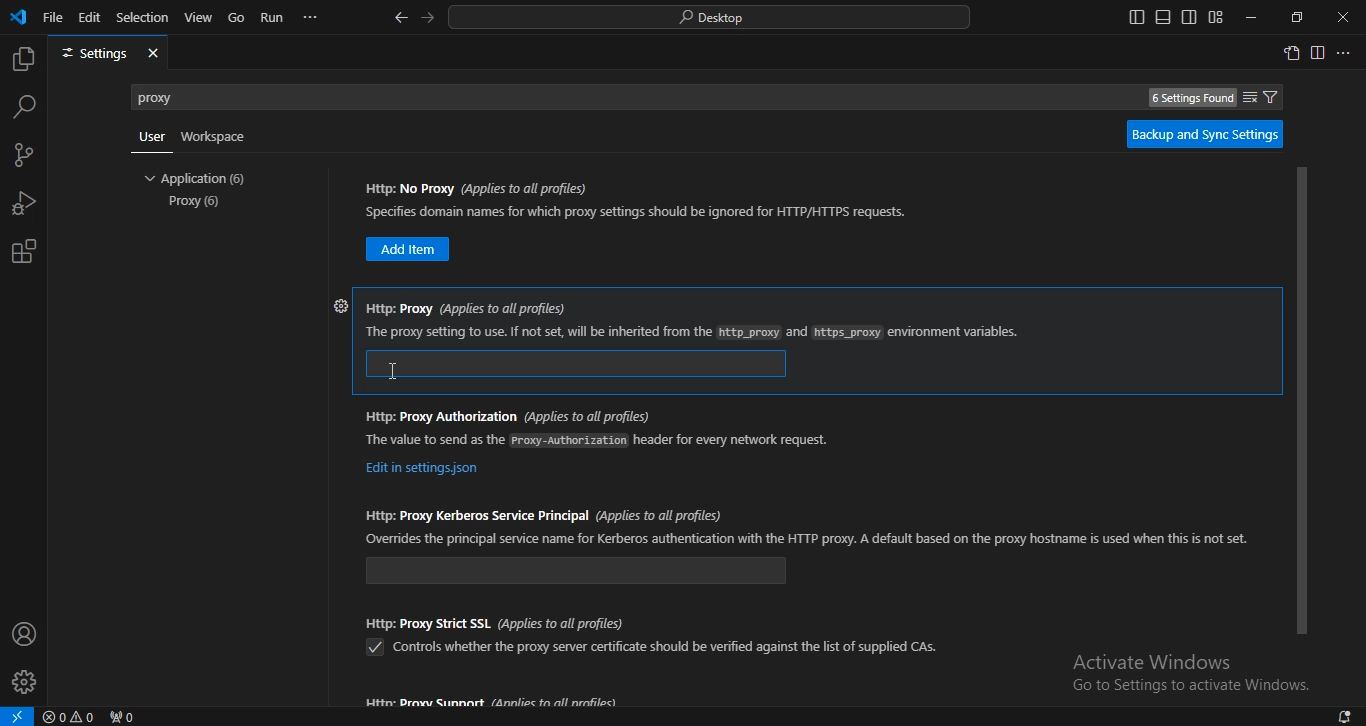 This screenshot has width=1366, height=726. Describe the element at coordinates (507, 415) in the screenshot. I see `https: proxy authorization` at that location.